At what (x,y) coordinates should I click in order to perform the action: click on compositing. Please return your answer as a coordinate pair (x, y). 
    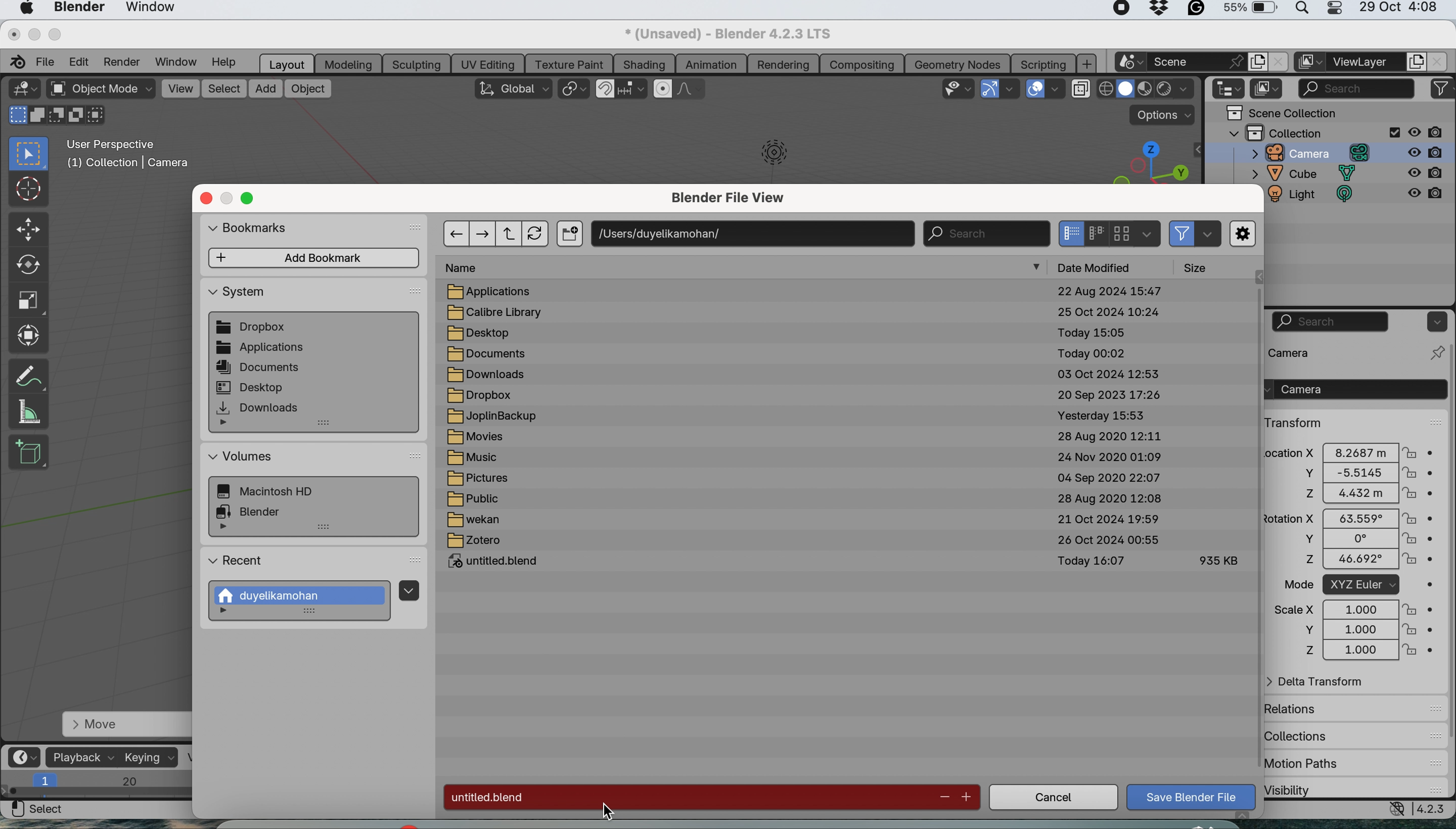
    Looking at the image, I should click on (862, 63).